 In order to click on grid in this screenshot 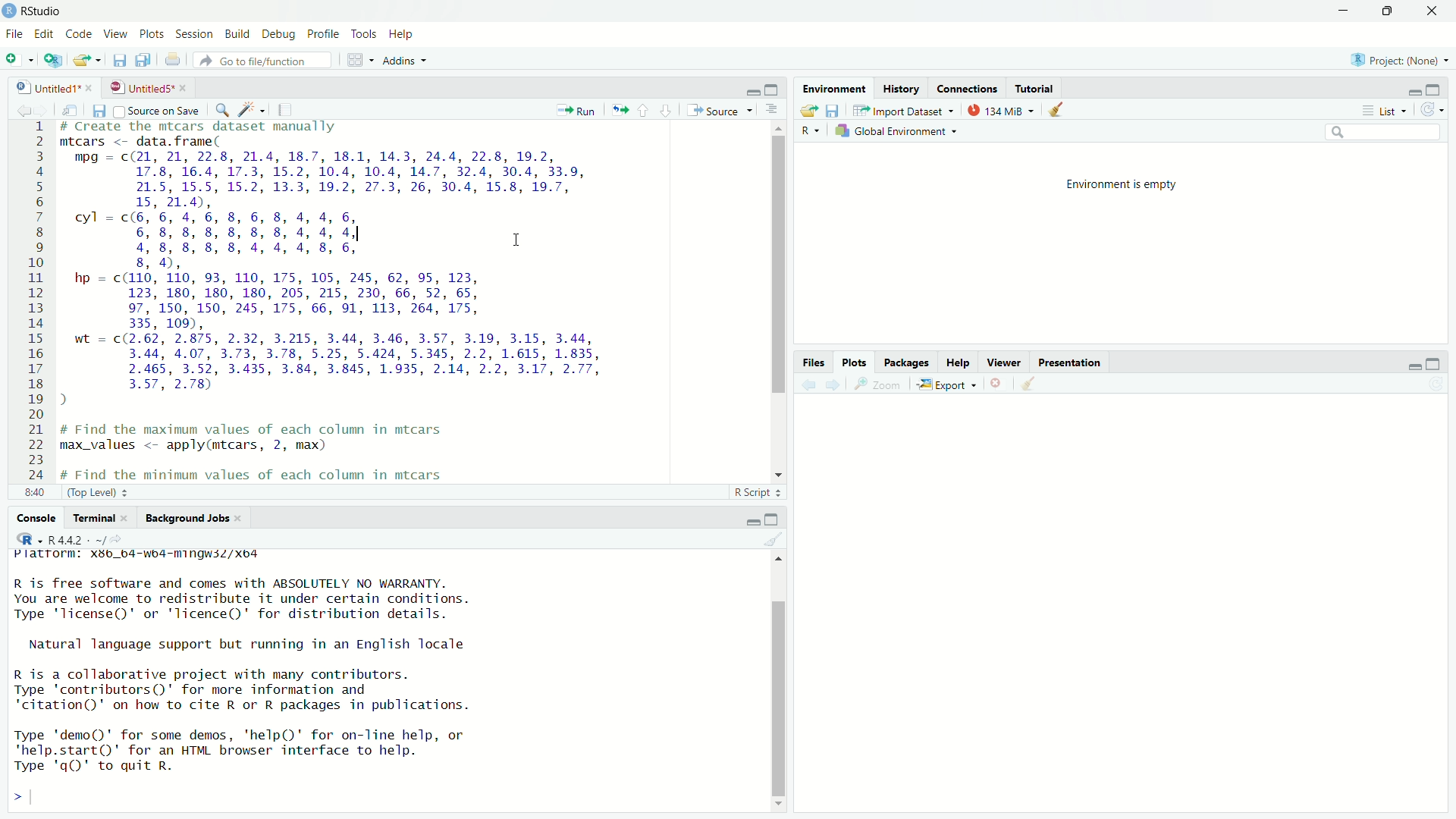, I will do `click(350, 61)`.